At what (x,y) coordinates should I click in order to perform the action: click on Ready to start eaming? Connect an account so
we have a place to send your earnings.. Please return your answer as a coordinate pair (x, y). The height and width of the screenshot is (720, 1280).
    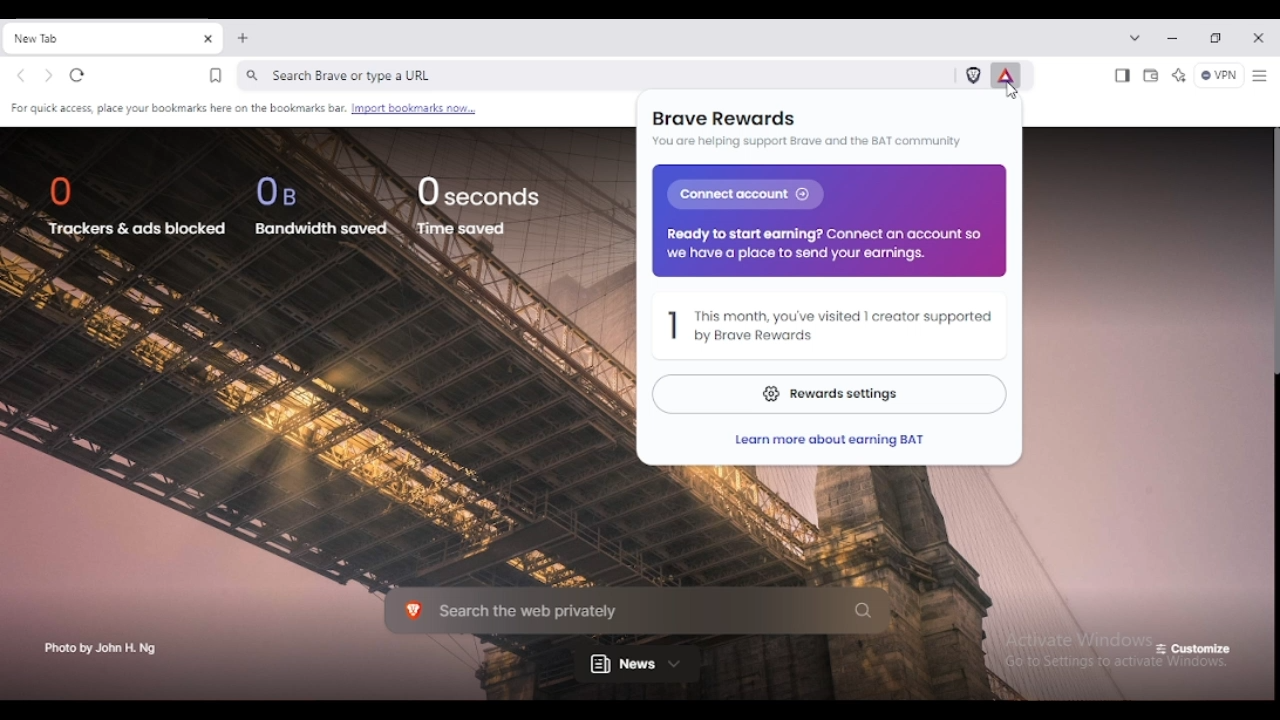
    Looking at the image, I should click on (829, 246).